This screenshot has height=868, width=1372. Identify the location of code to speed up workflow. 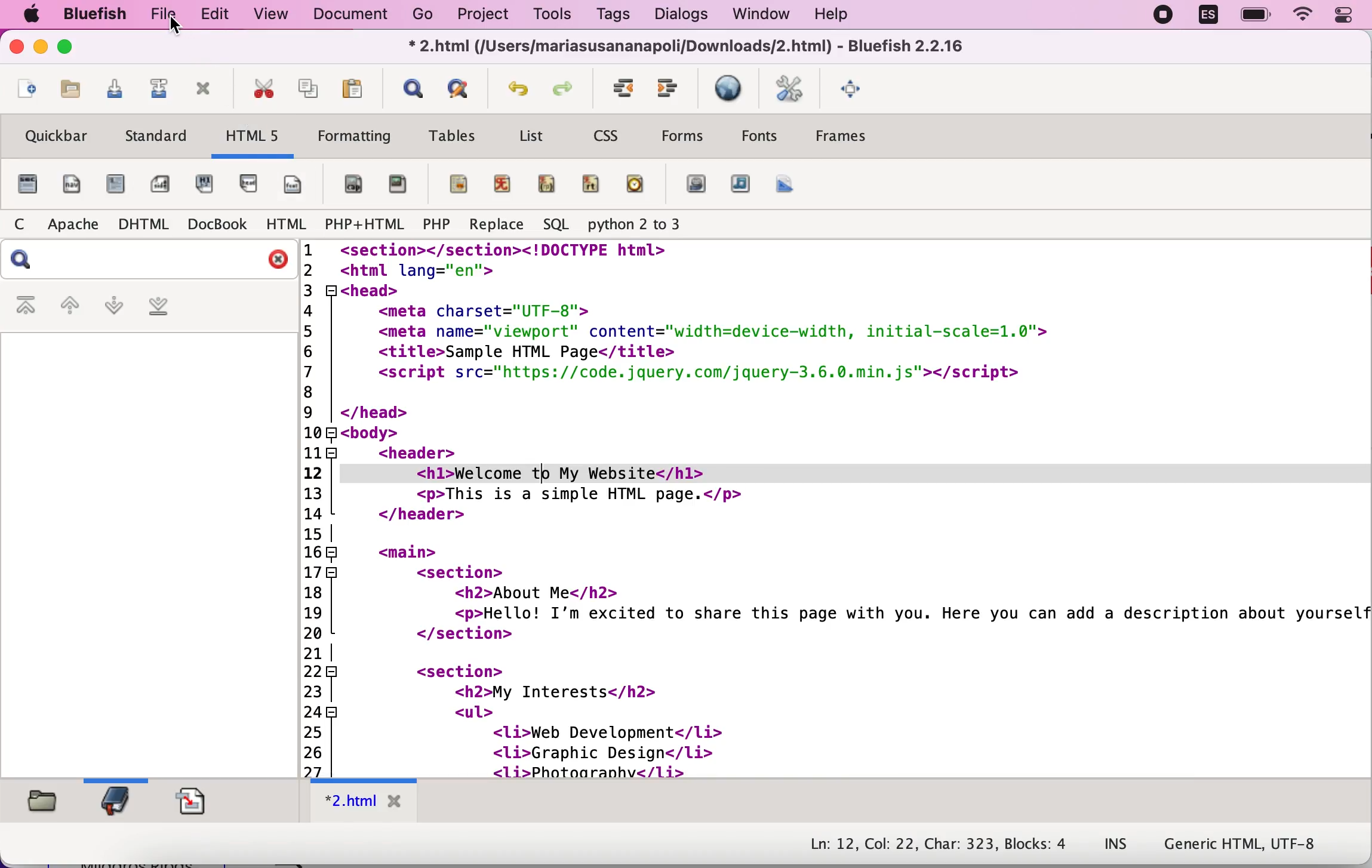
(836, 511).